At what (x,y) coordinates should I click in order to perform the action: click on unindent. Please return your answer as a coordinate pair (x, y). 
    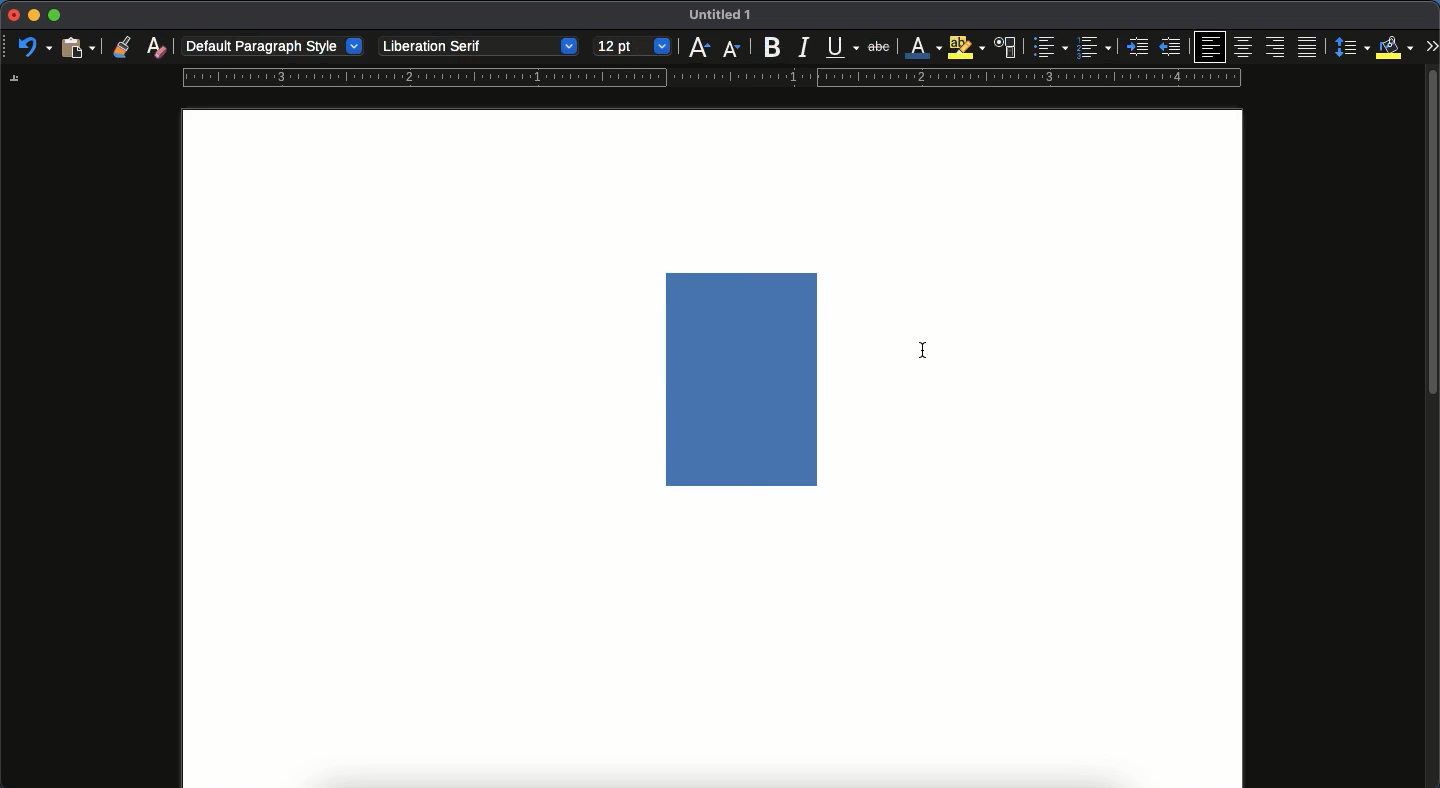
    Looking at the image, I should click on (1172, 47).